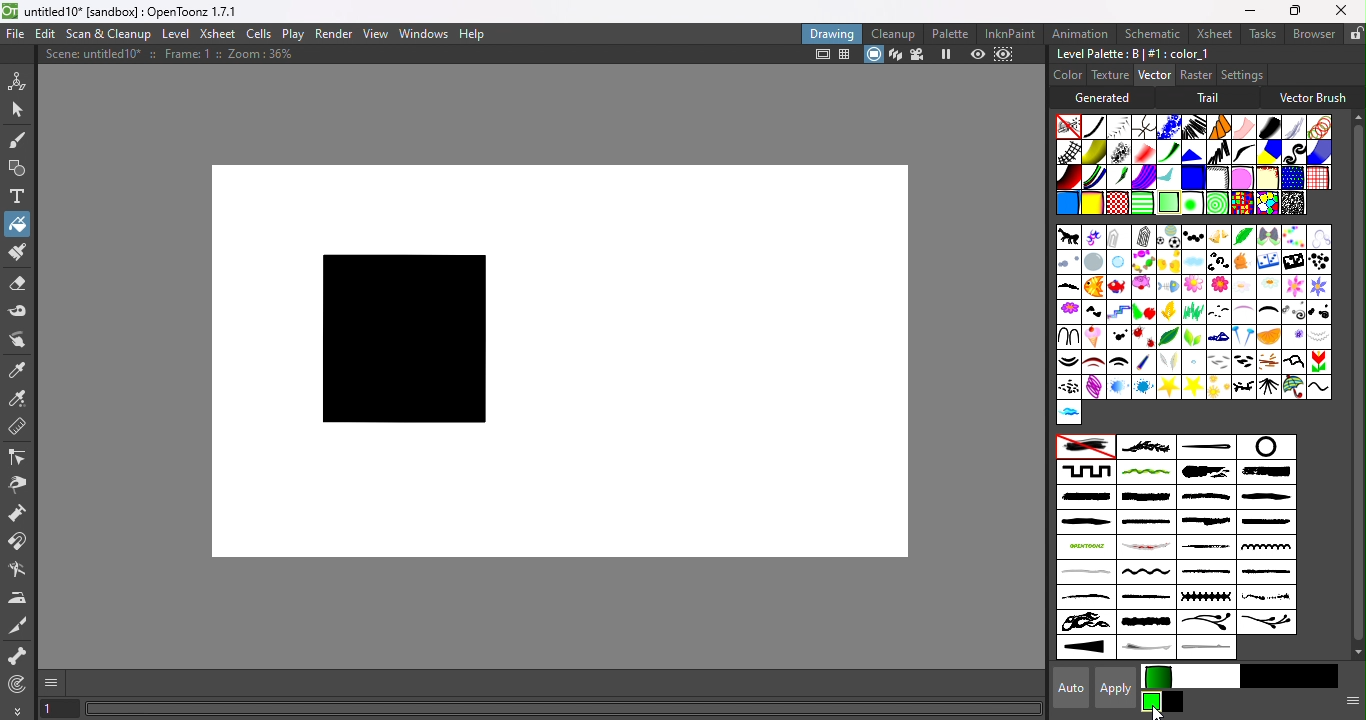 The width and height of the screenshot is (1366, 720). Describe the element at coordinates (1168, 237) in the screenshot. I see `ball` at that location.